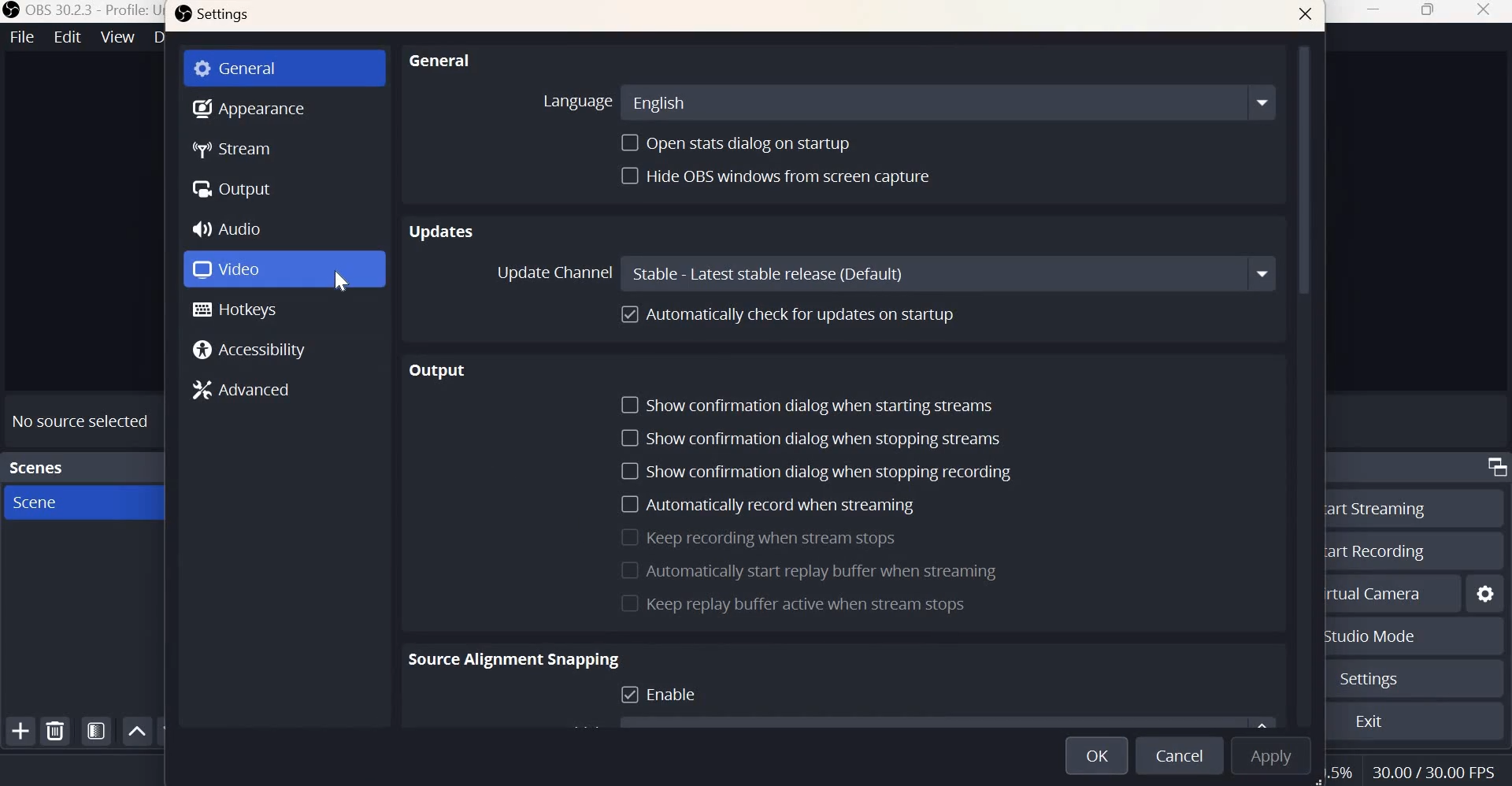 This screenshot has width=1512, height=786. What do you see at coordinates (1486, 591) in the screenshot?
I see `Configure virtual camera` at bounding box center [1486, 591].